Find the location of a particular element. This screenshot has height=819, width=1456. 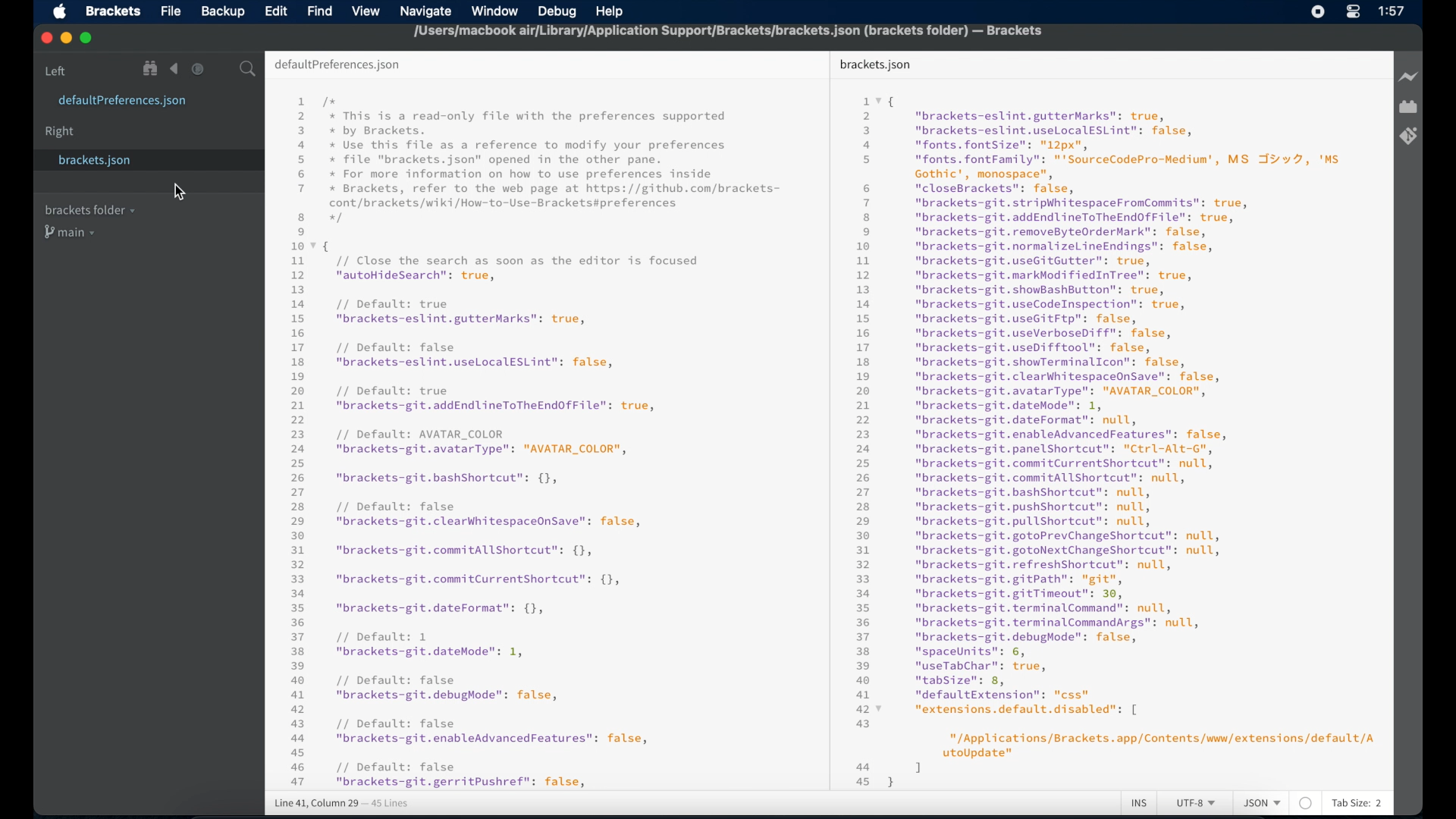

split editor vertical or horizontal is located at coordinates (222, 69).